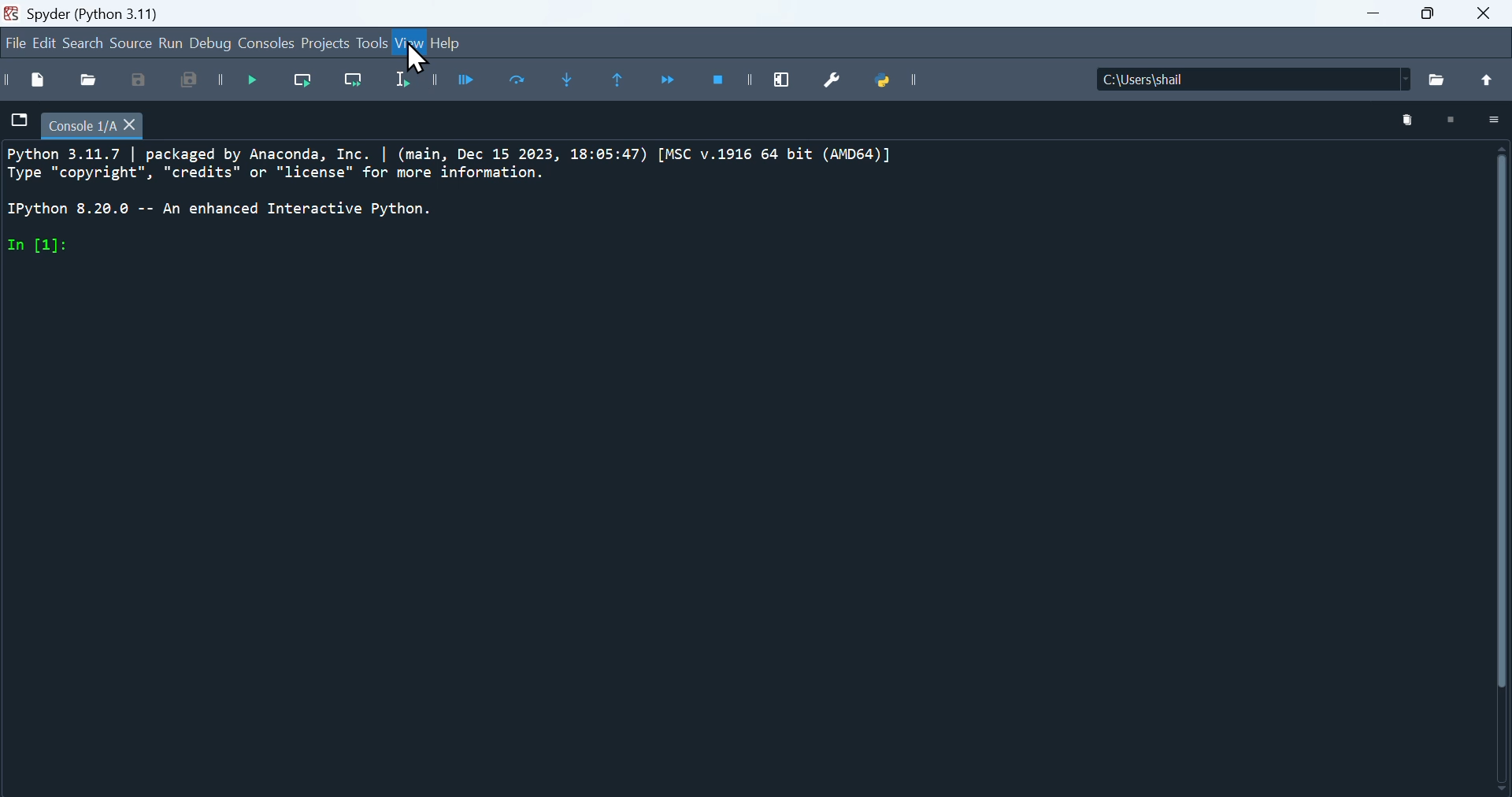  What do you see at coordinates (87, 43) in the screenshot?
I see `Search` at bounding box center [87, 43].